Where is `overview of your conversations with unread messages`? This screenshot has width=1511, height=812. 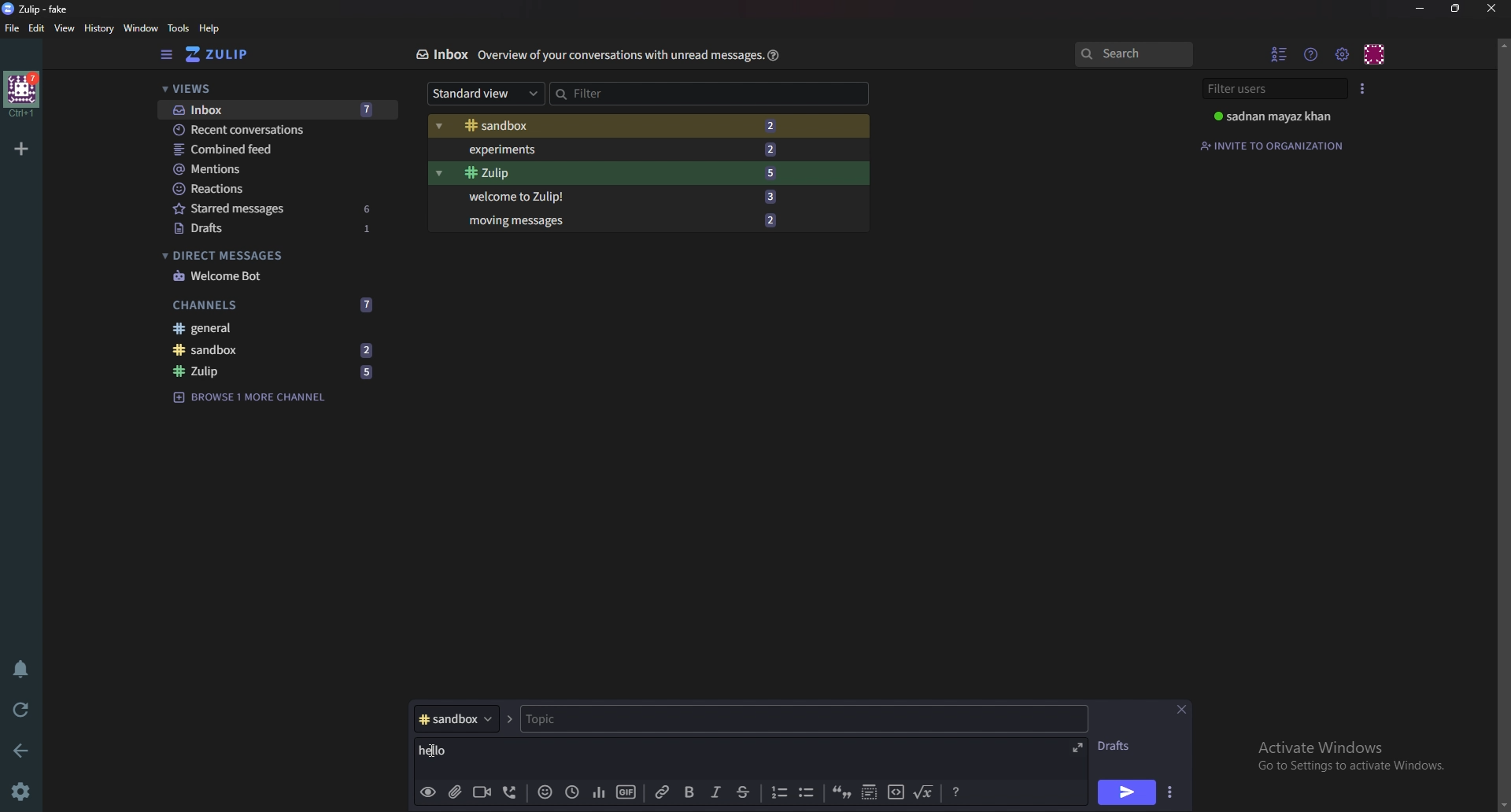
overview of your conversations with unread messages is located at coordinates (616, 57).